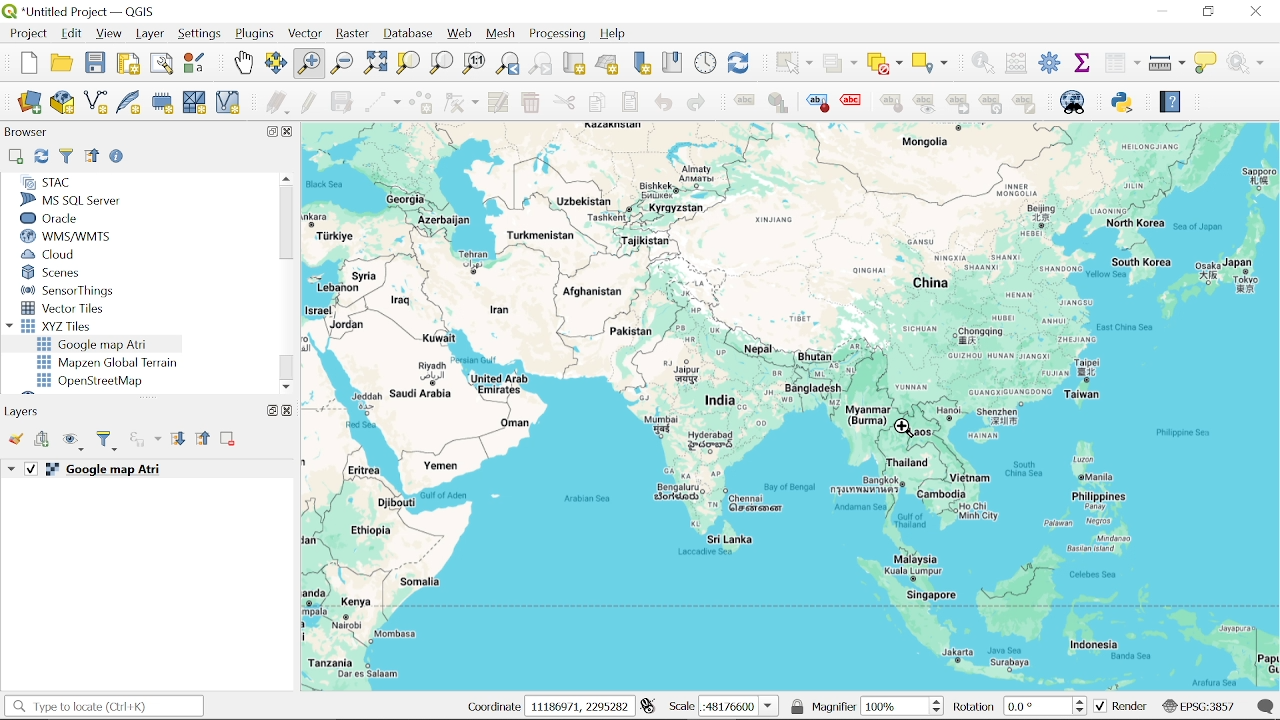 This screenshot has width=1280, height=720. I want to click on Select features by area or single click, so click(791, 62).